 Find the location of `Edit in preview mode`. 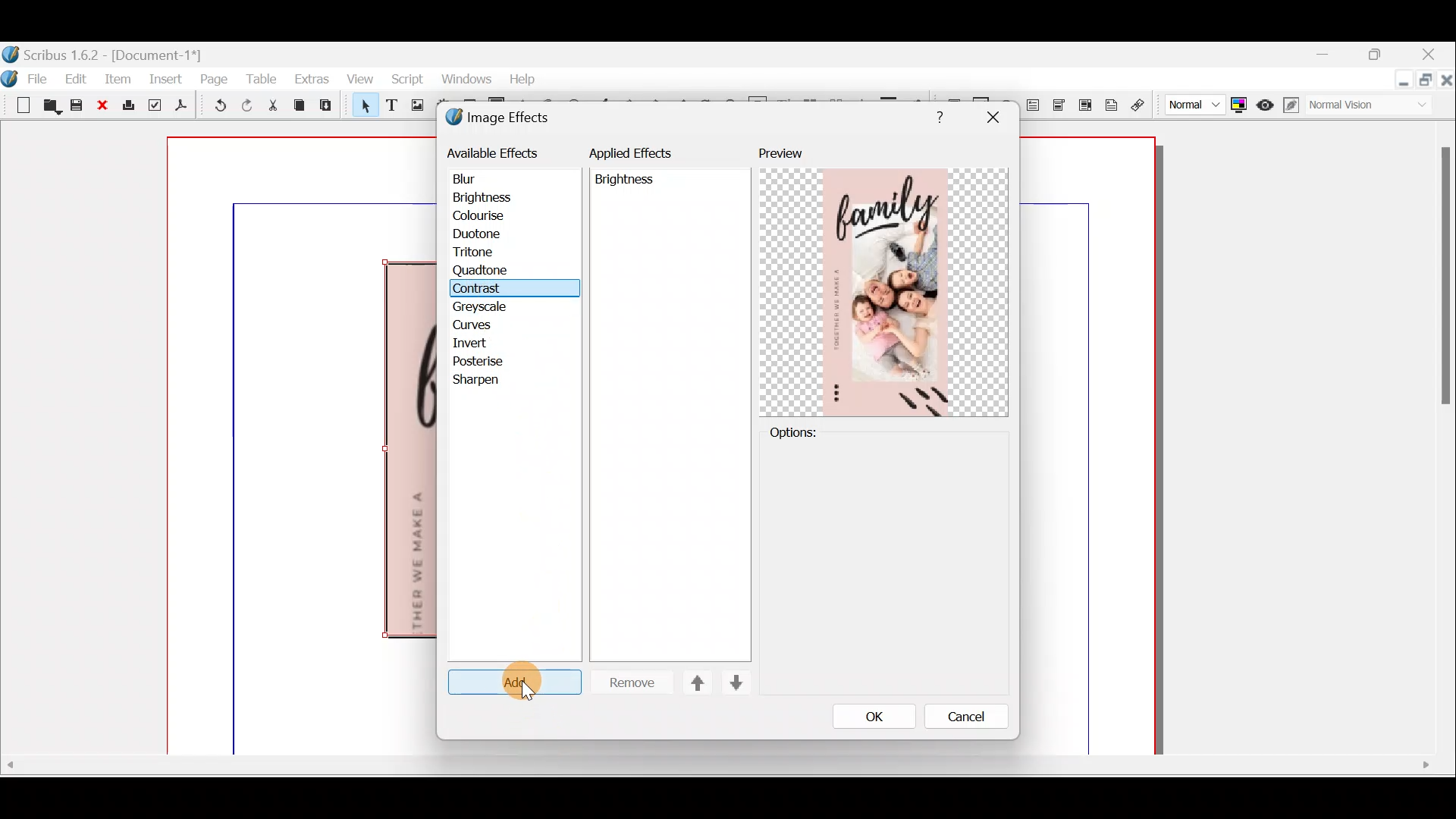

Edit in preview mode is located at coordinates (1292, 104).